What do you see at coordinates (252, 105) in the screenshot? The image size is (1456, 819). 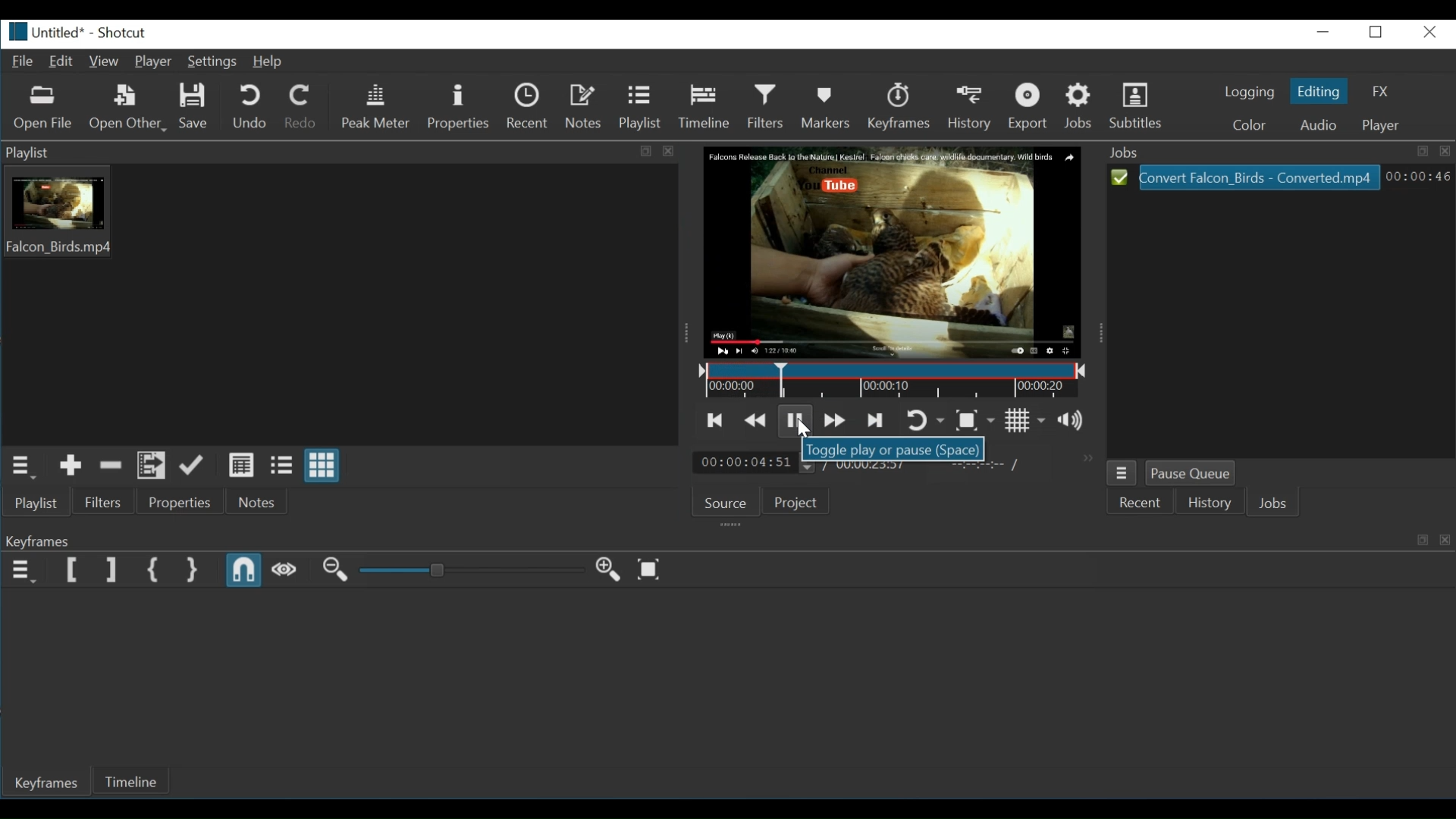 I see `Undo` at bounding box center [252, 105].